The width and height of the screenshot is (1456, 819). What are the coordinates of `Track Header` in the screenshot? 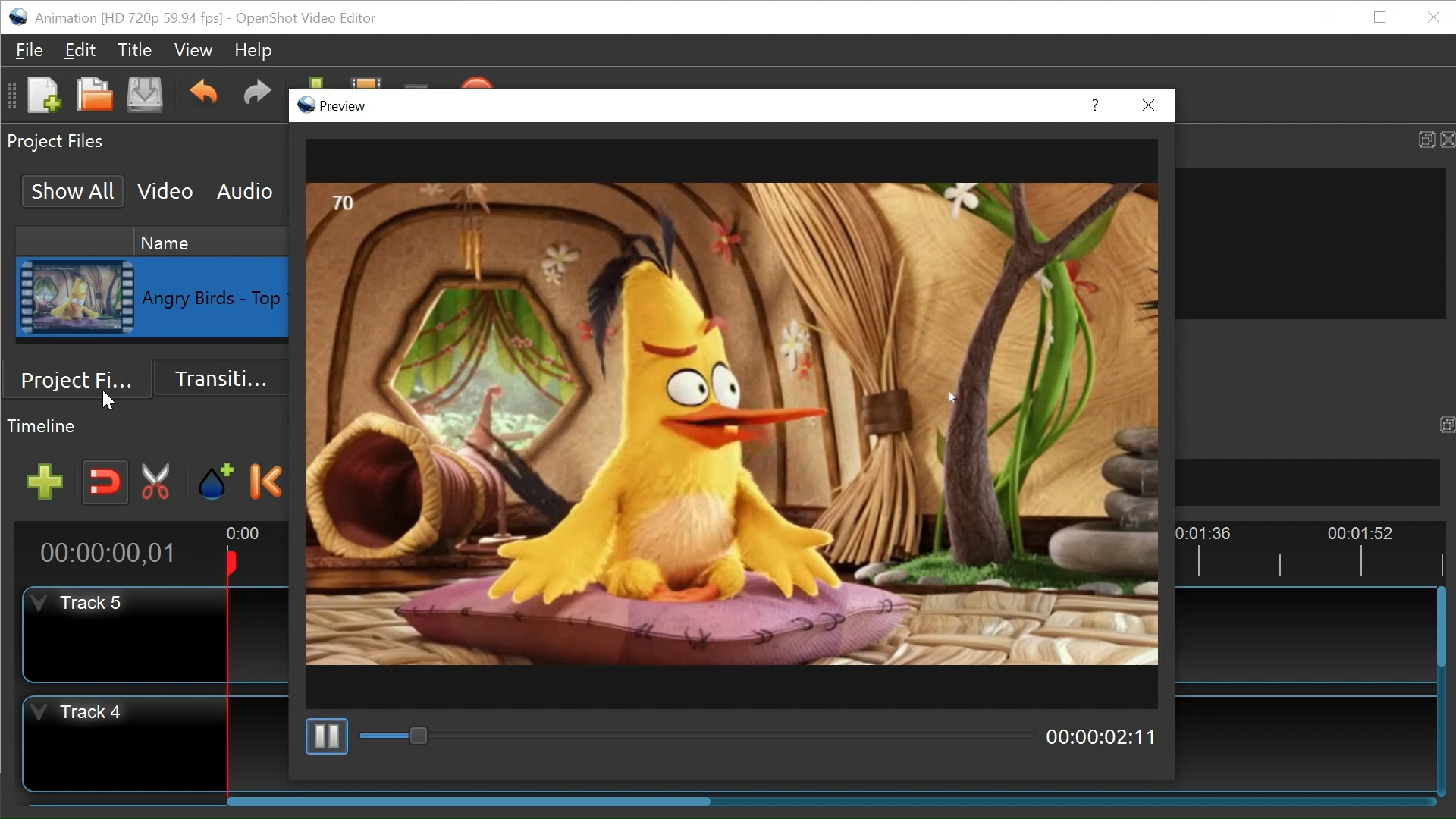 It's located at (125, 636).